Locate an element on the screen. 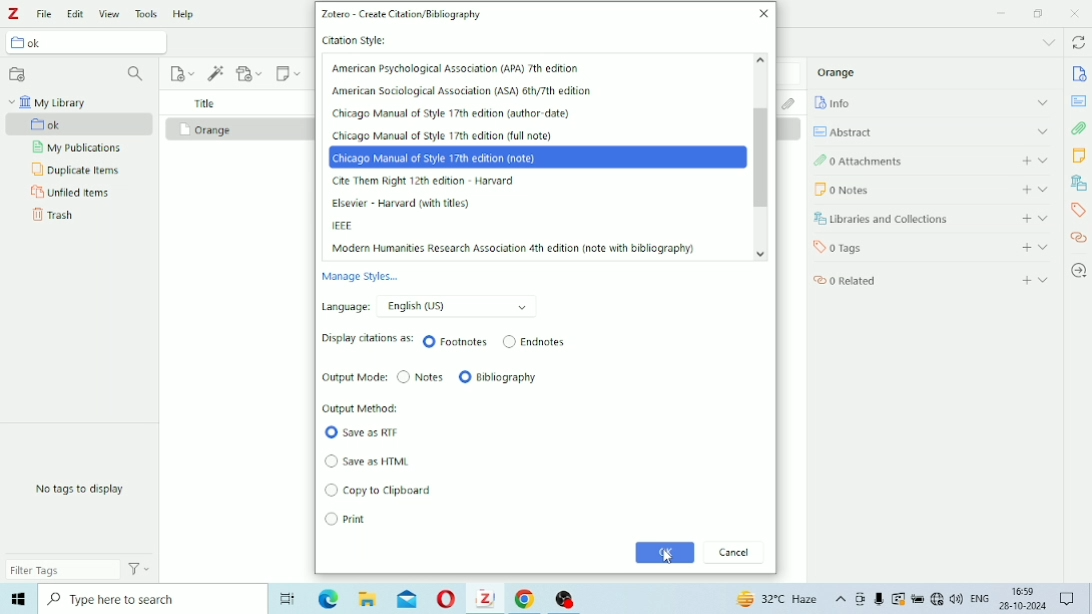  Abstract is located at coordinates (931, 131).